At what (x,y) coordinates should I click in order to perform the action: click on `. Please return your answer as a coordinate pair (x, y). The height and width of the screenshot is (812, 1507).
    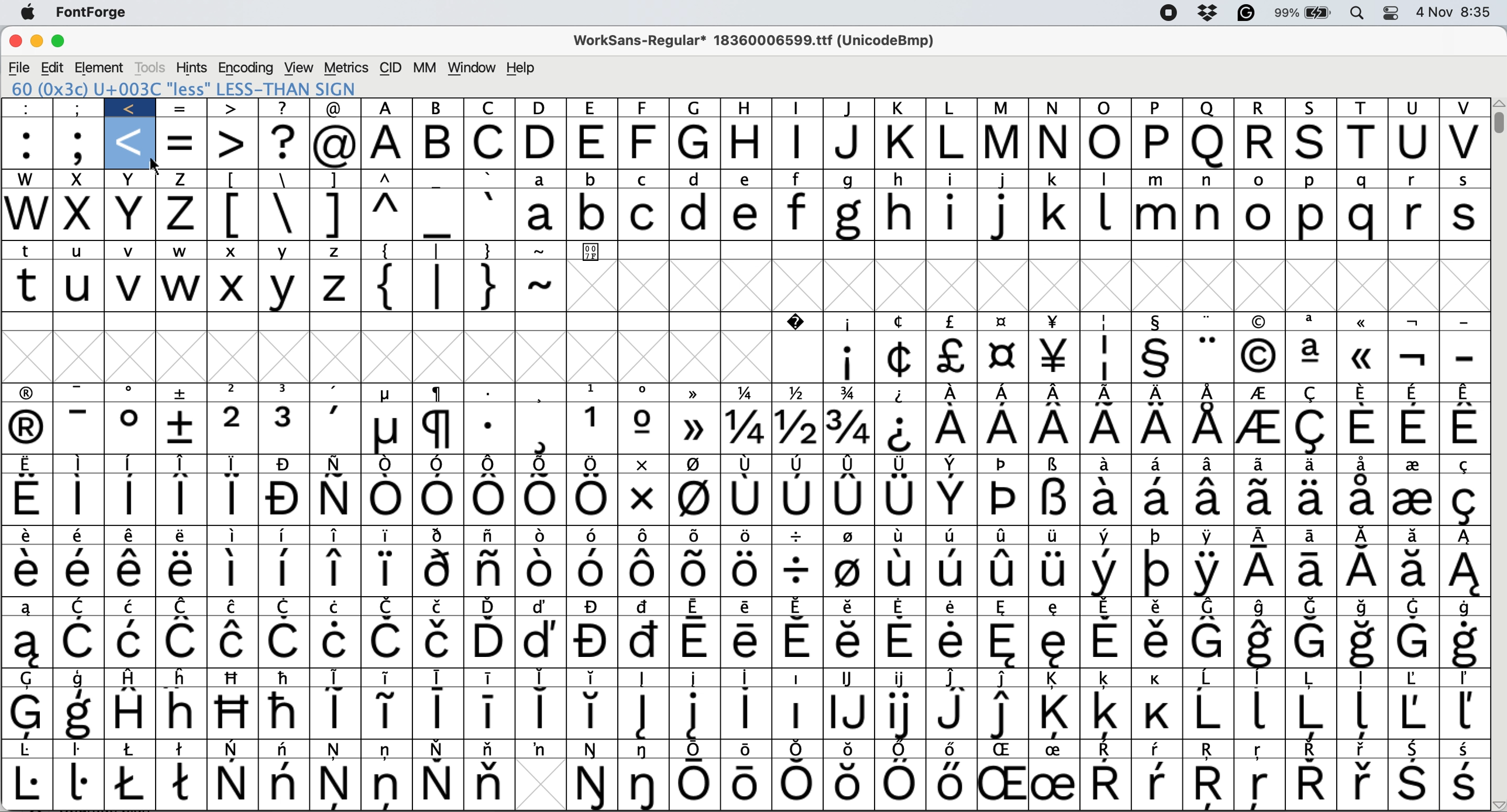
    Looking at the image, I should click on (492, 214).